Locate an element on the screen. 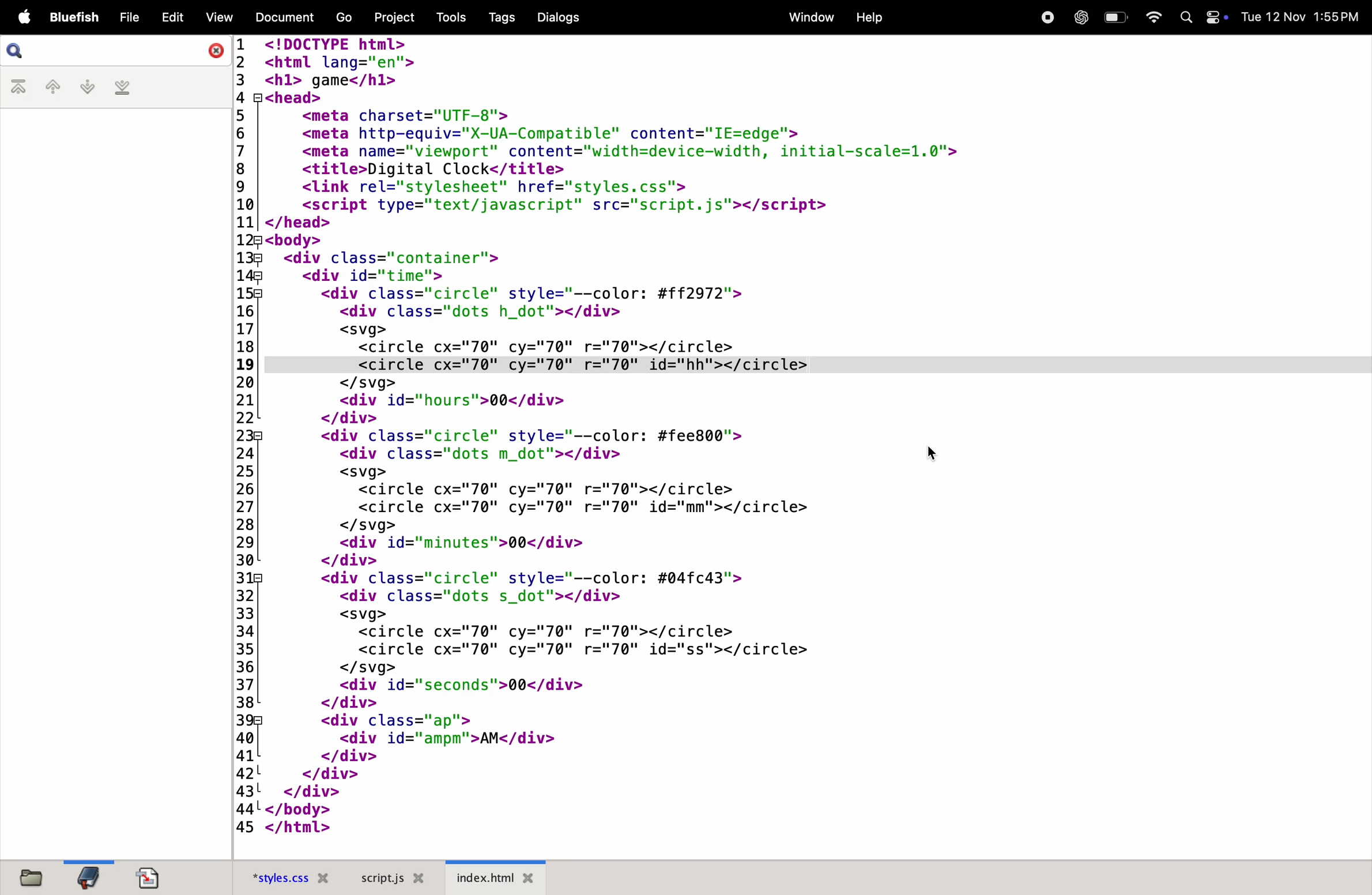 This screenshot has width=1372, height=895. apple menu is located at coordinates (20, 17).